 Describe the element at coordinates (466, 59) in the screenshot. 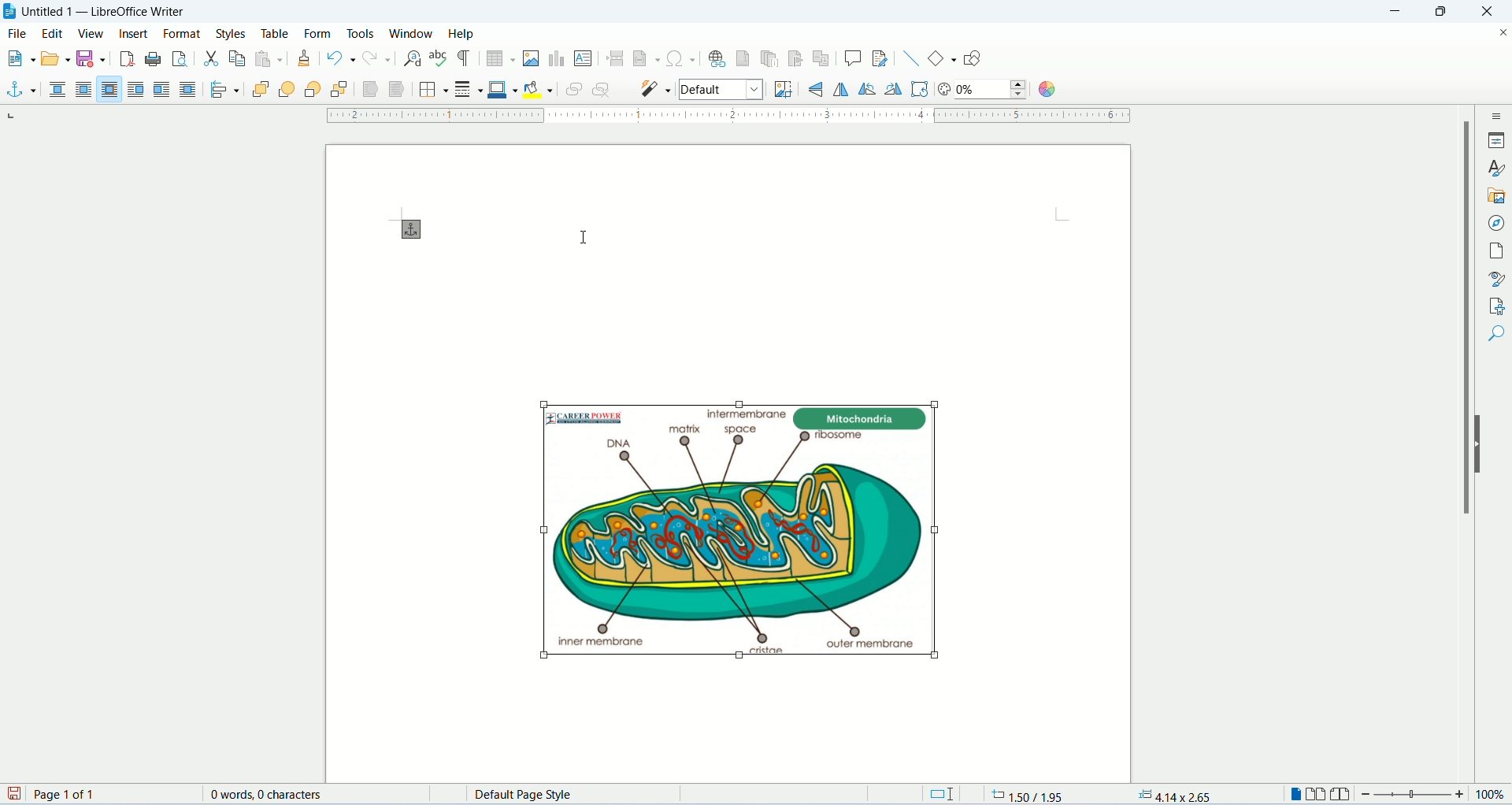

I see `formatting marks` at that location.